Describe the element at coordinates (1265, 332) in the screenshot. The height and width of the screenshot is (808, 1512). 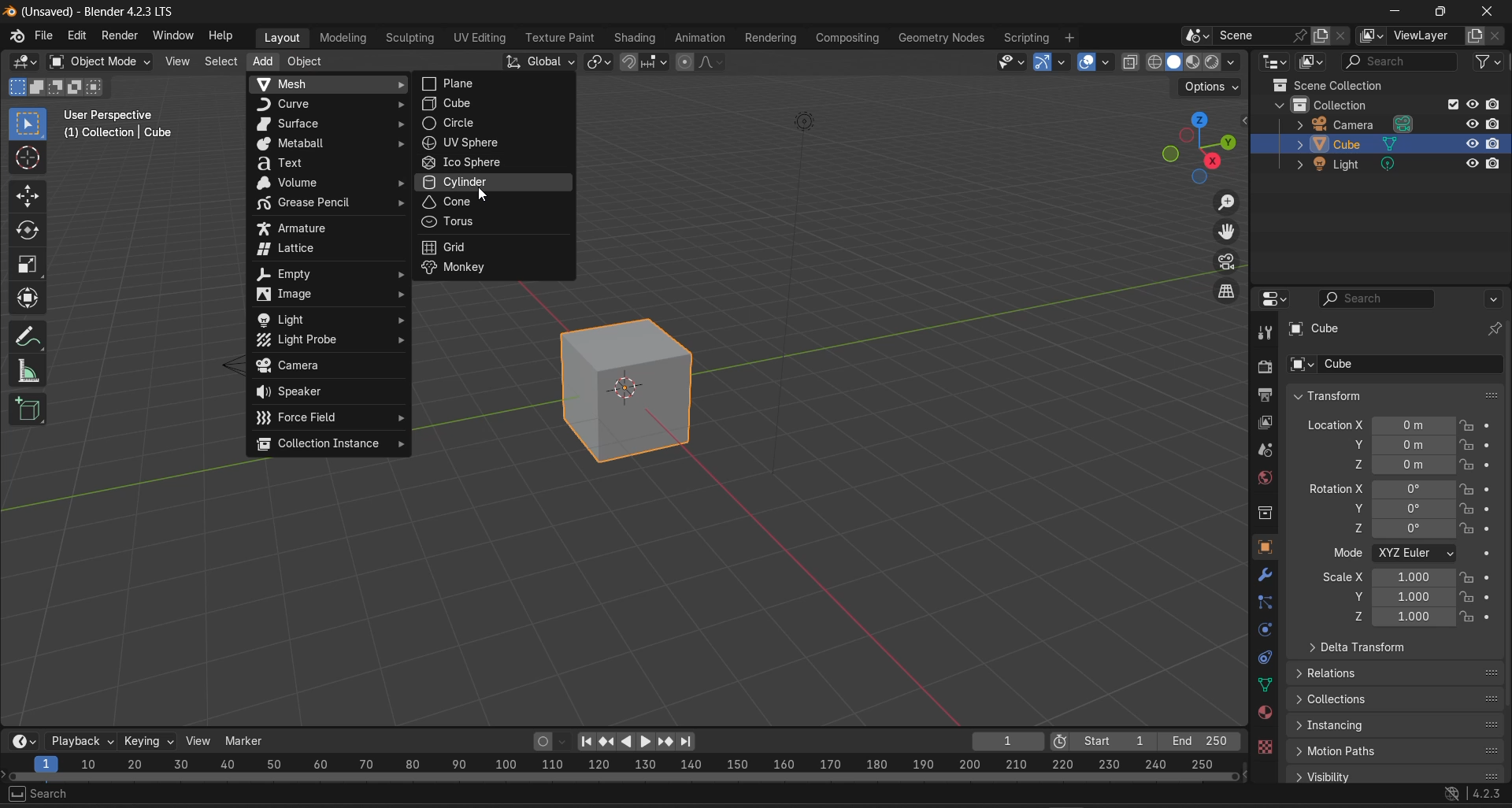
I see `tool` at that location.